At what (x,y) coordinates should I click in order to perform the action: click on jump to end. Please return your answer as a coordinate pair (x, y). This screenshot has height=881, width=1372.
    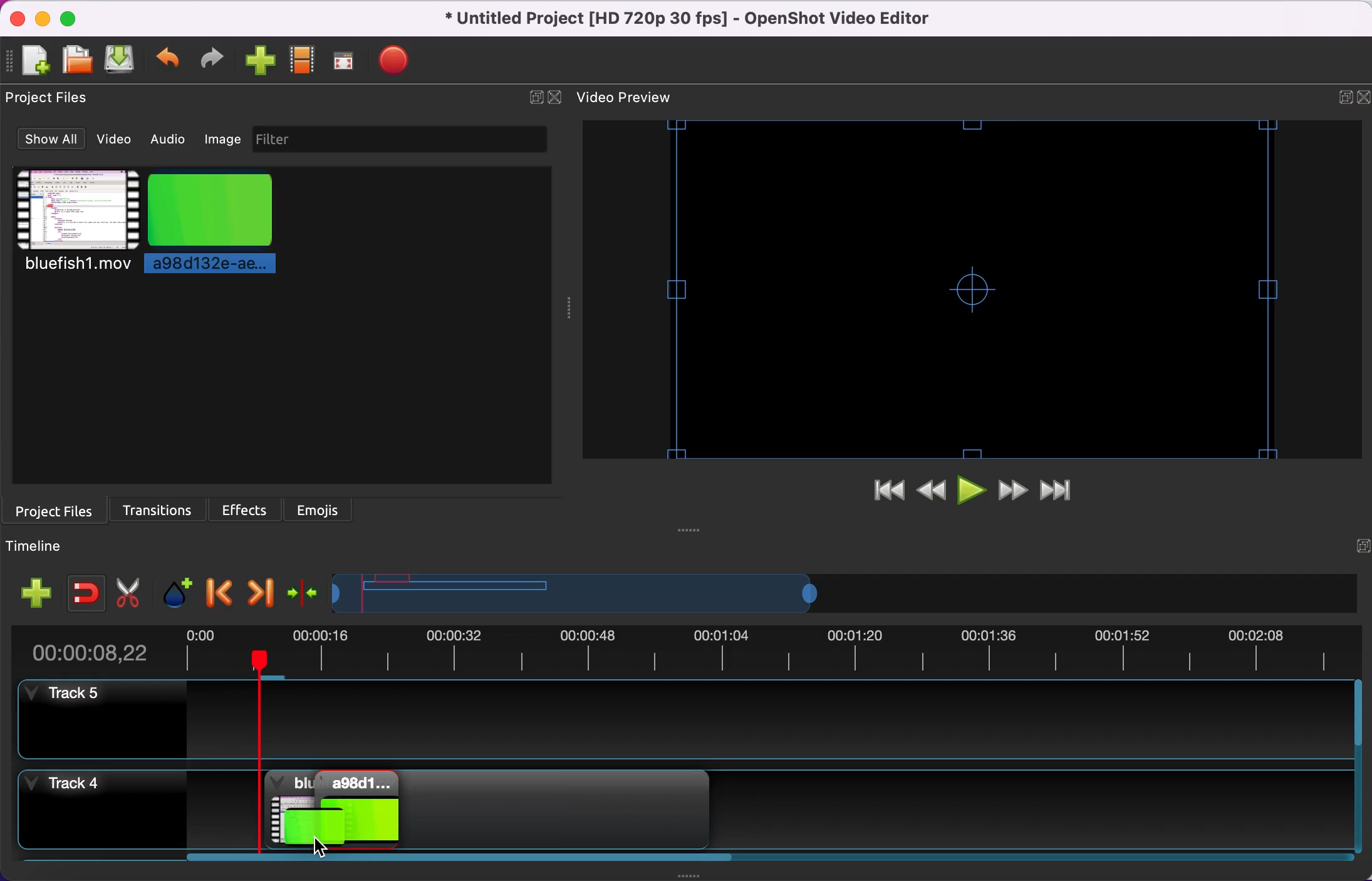
    Looking at the image, I should click on (1069, 491).